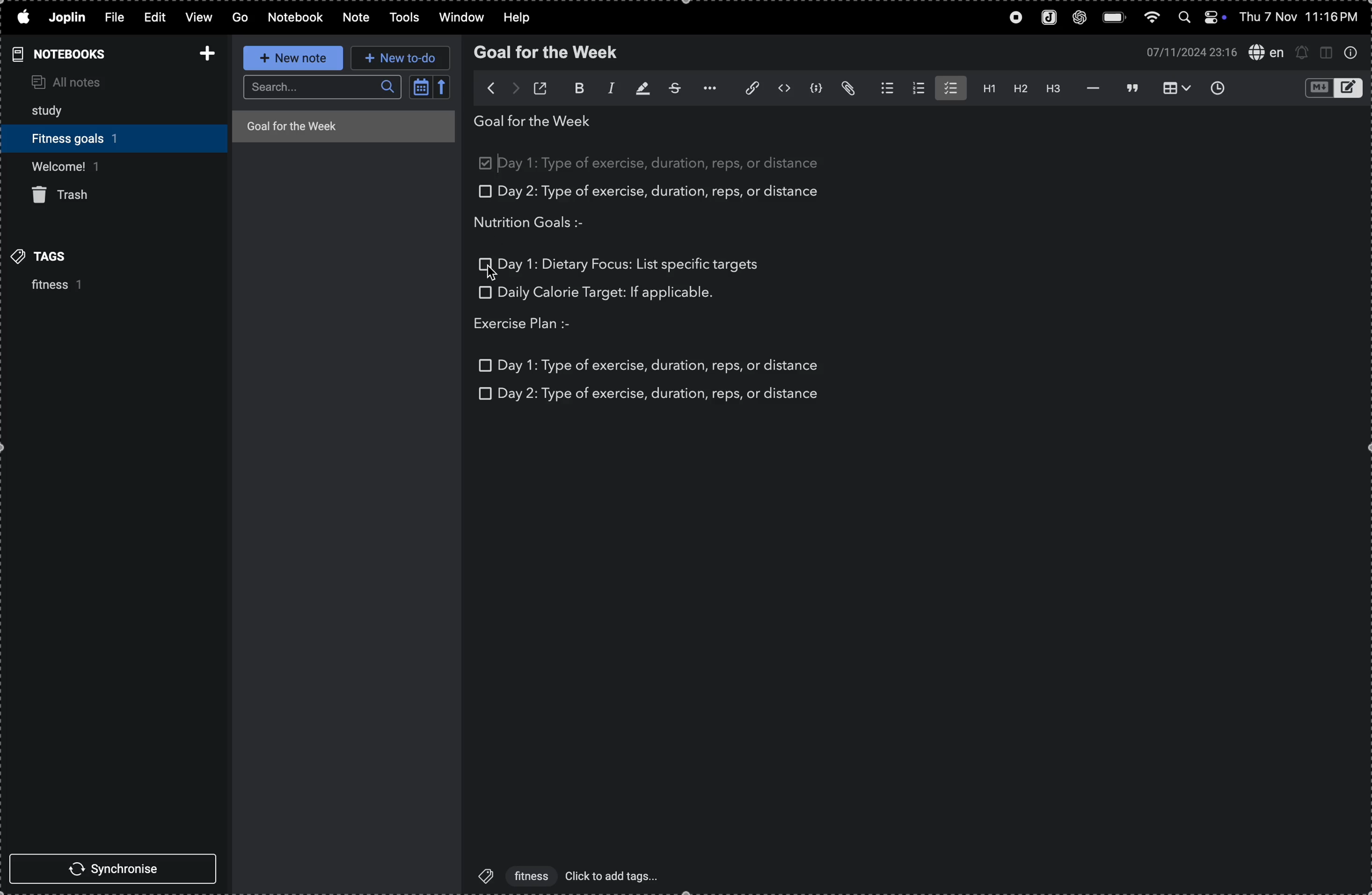 The image size is (1372, 895). Describe the element at coordinates (985, 89) in the screenshot. I see `heading 1` at that location.